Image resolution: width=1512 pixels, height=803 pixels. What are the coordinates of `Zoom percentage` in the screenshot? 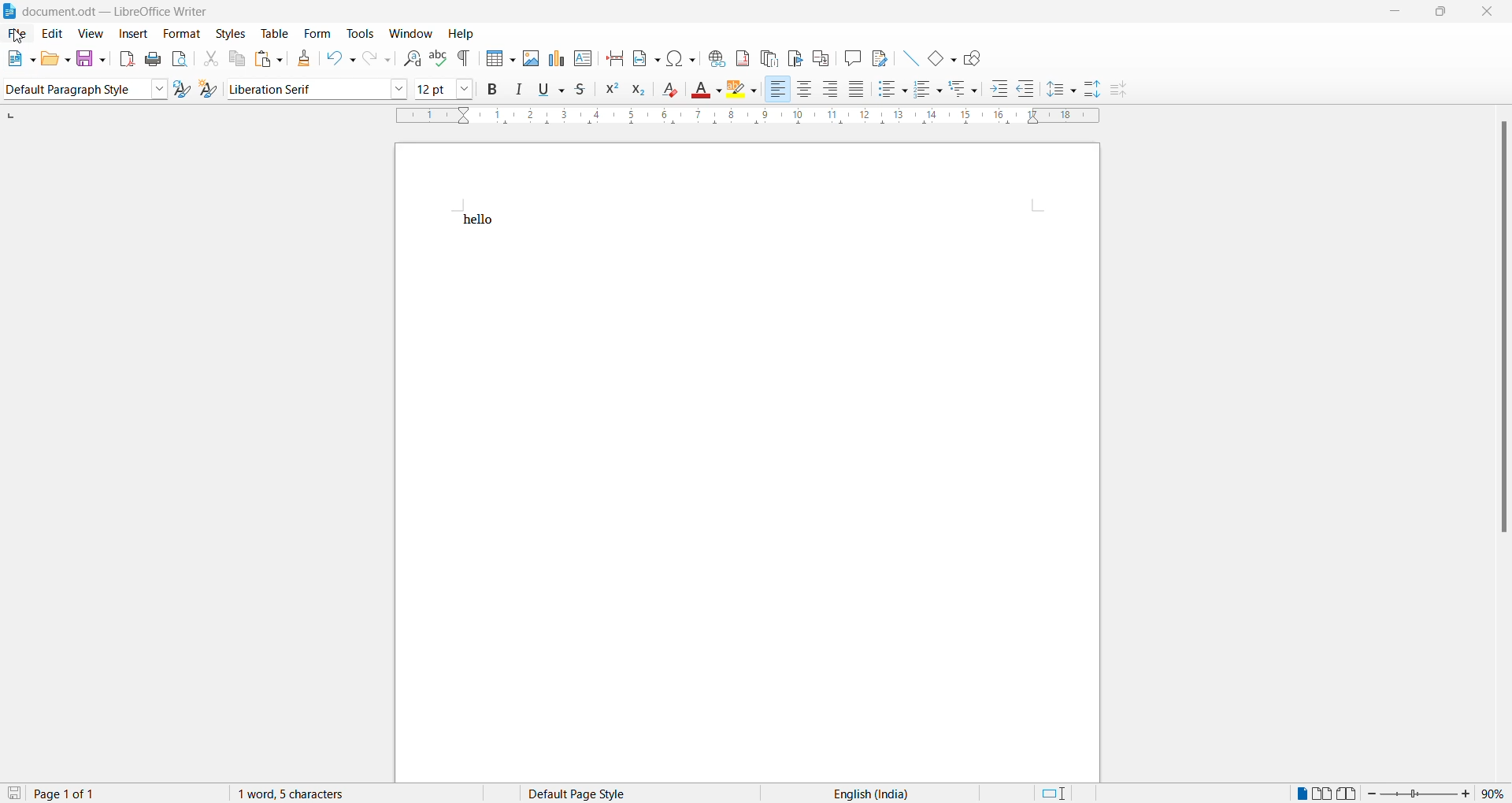 It's located at (1493, 794).